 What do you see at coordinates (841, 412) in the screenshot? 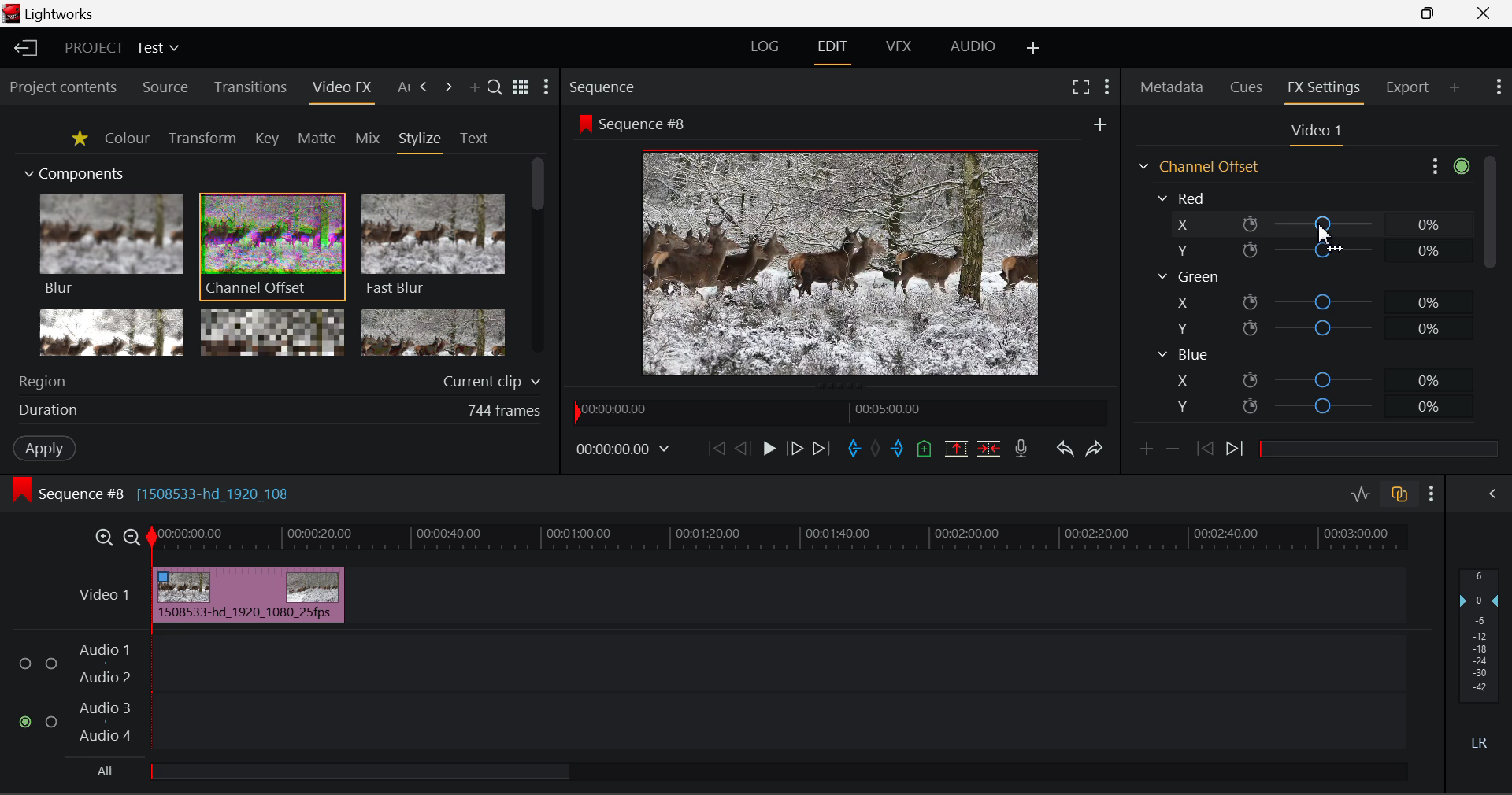
I see `Project Timeline Navigator` at bounding box center [841, 412].